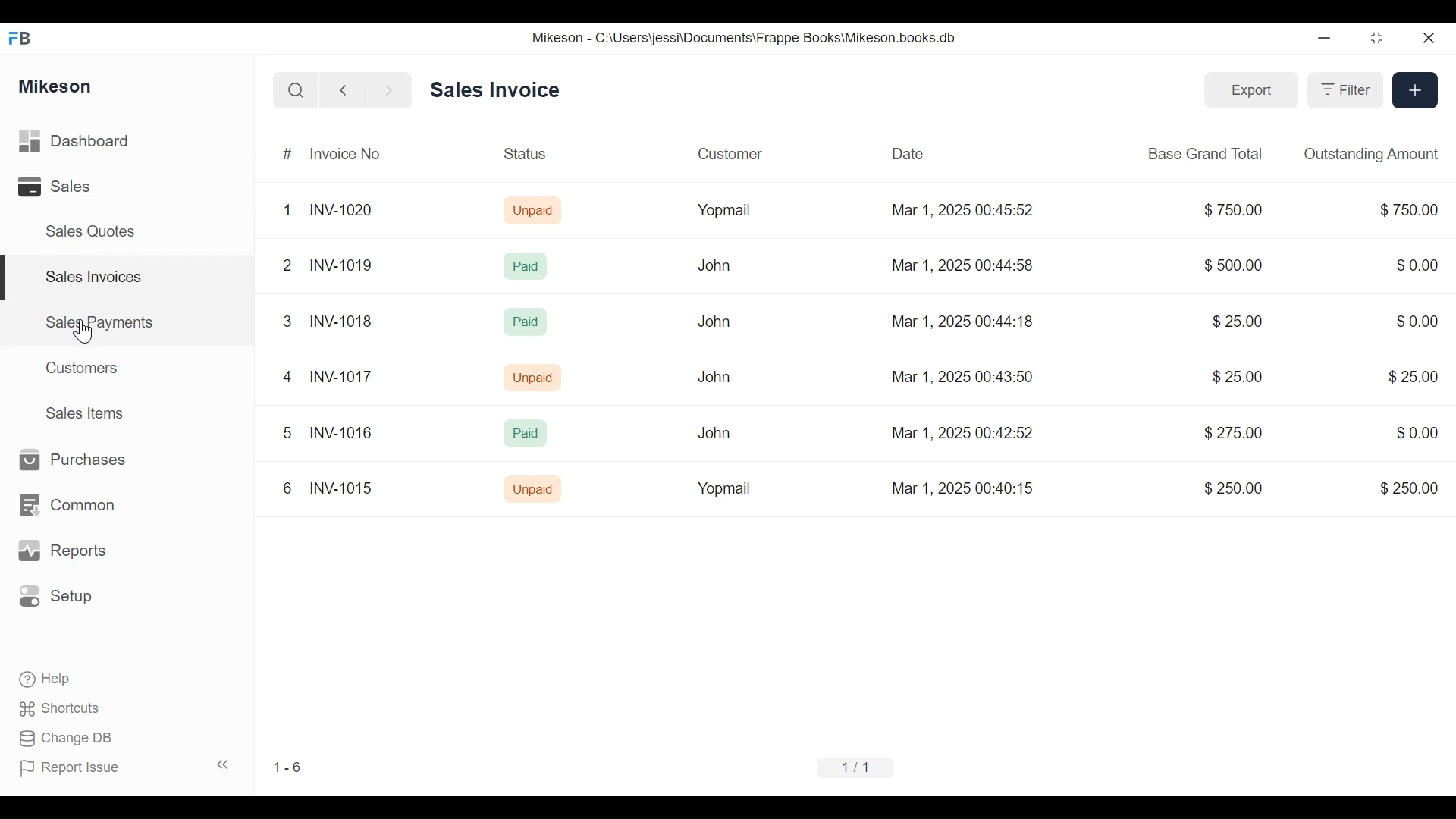 This screenshot has height=819, width=1456. I want to click on Unpaid, so click(529, 211).